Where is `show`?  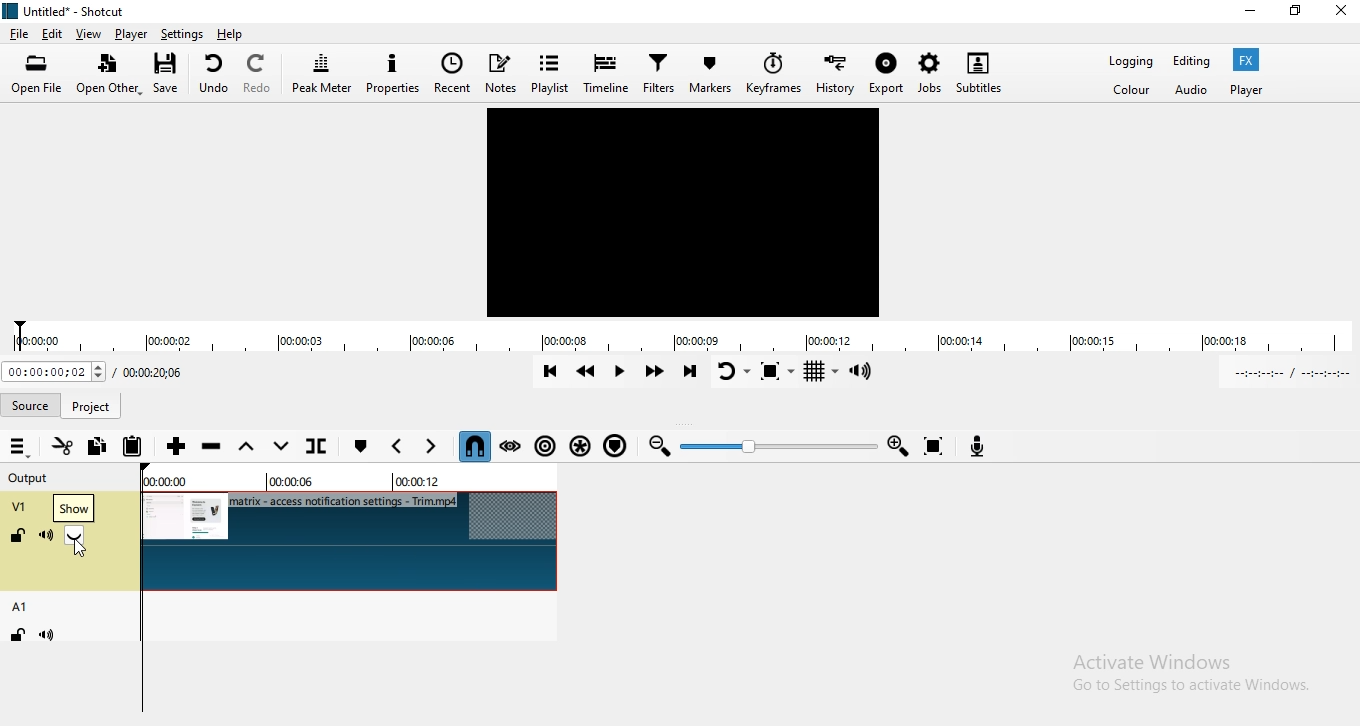 show is located at coordinates (73, 508).